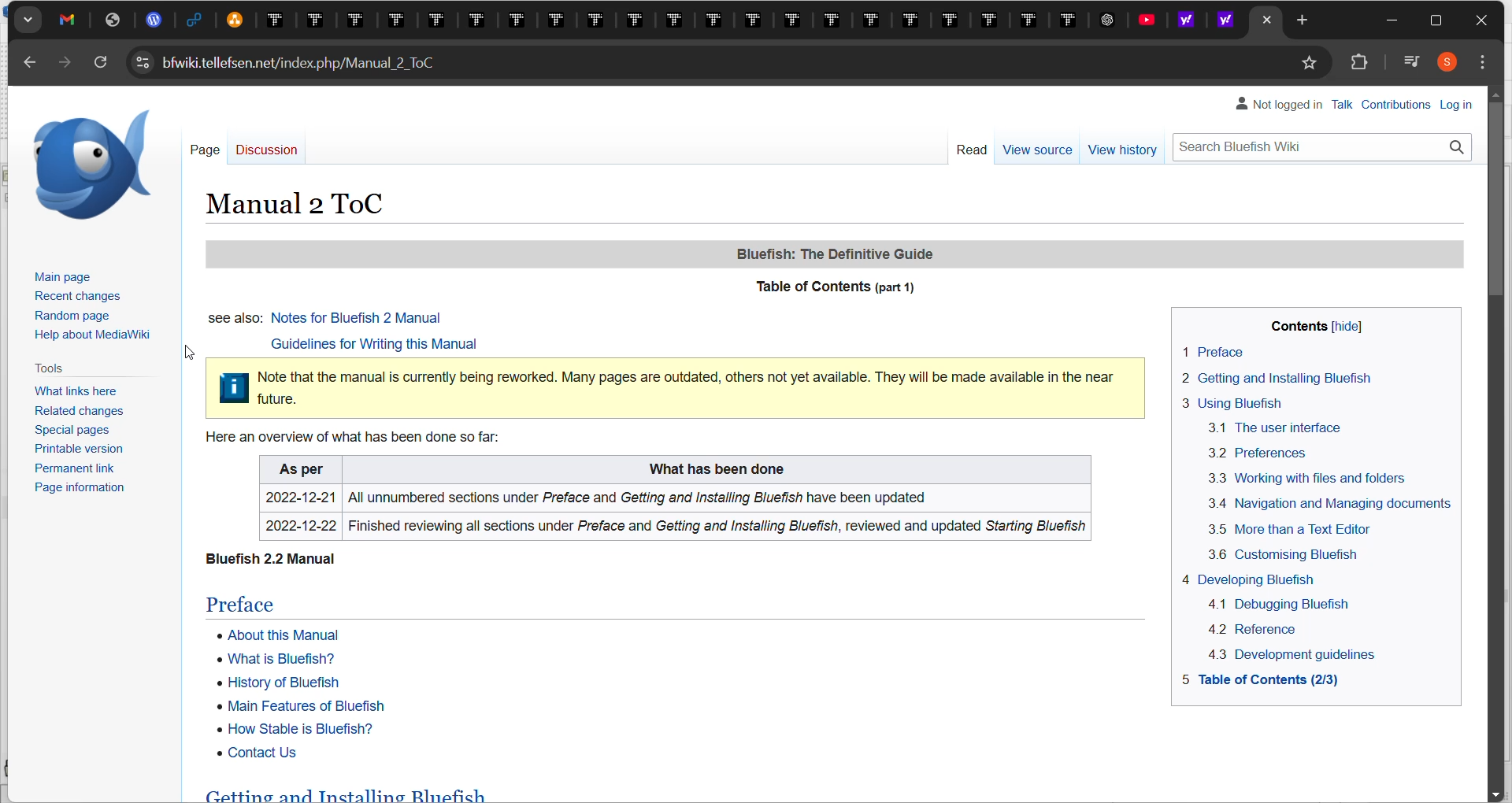 The height and width of the screenshot is (803, 1512). Describe the element at coordinates (1304, 20) in the screenshot. I see `new tab` at that location.